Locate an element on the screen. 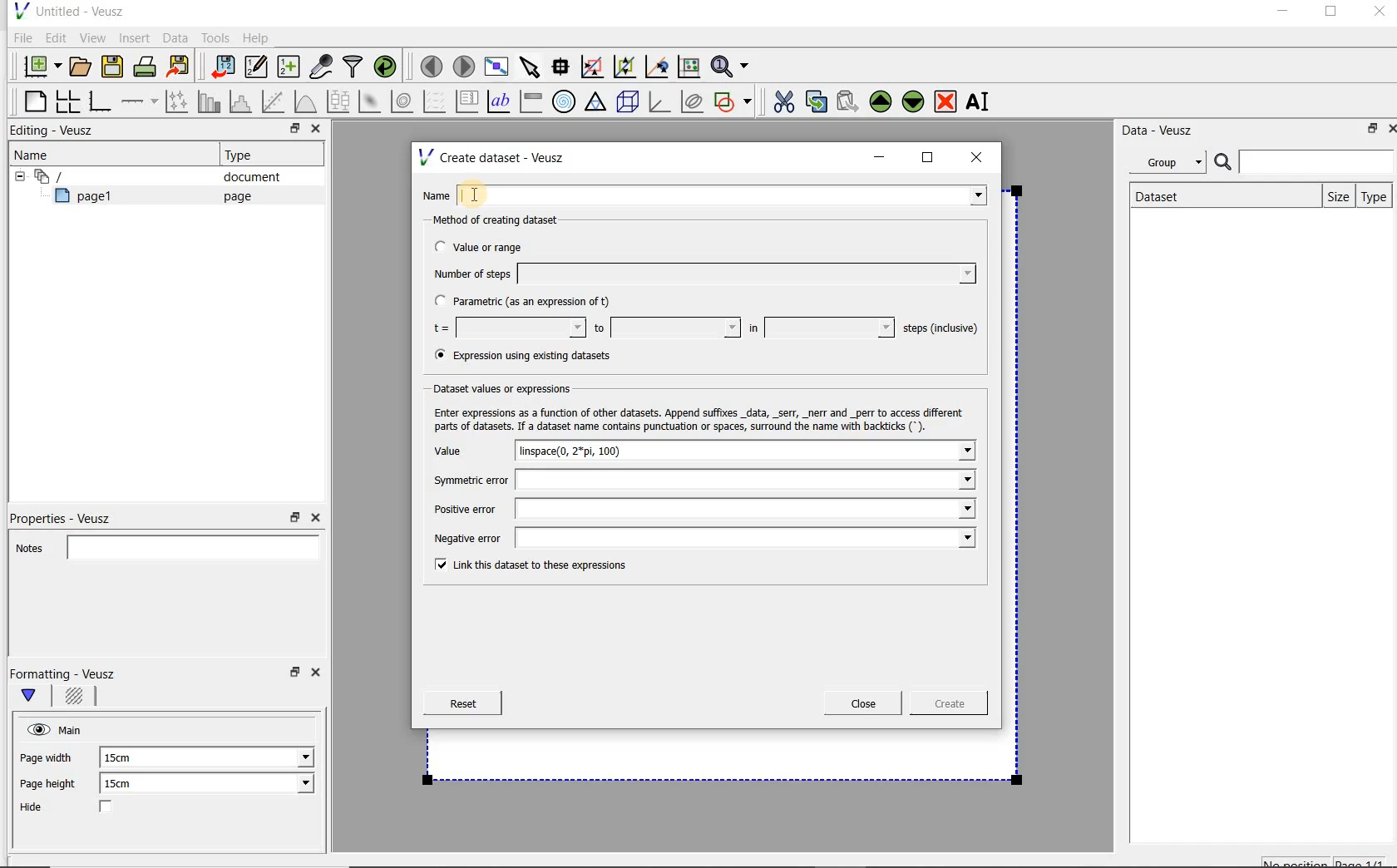 The height and width of the screenshot is (868, 1397). Close is located at coordinates (1378, 14).